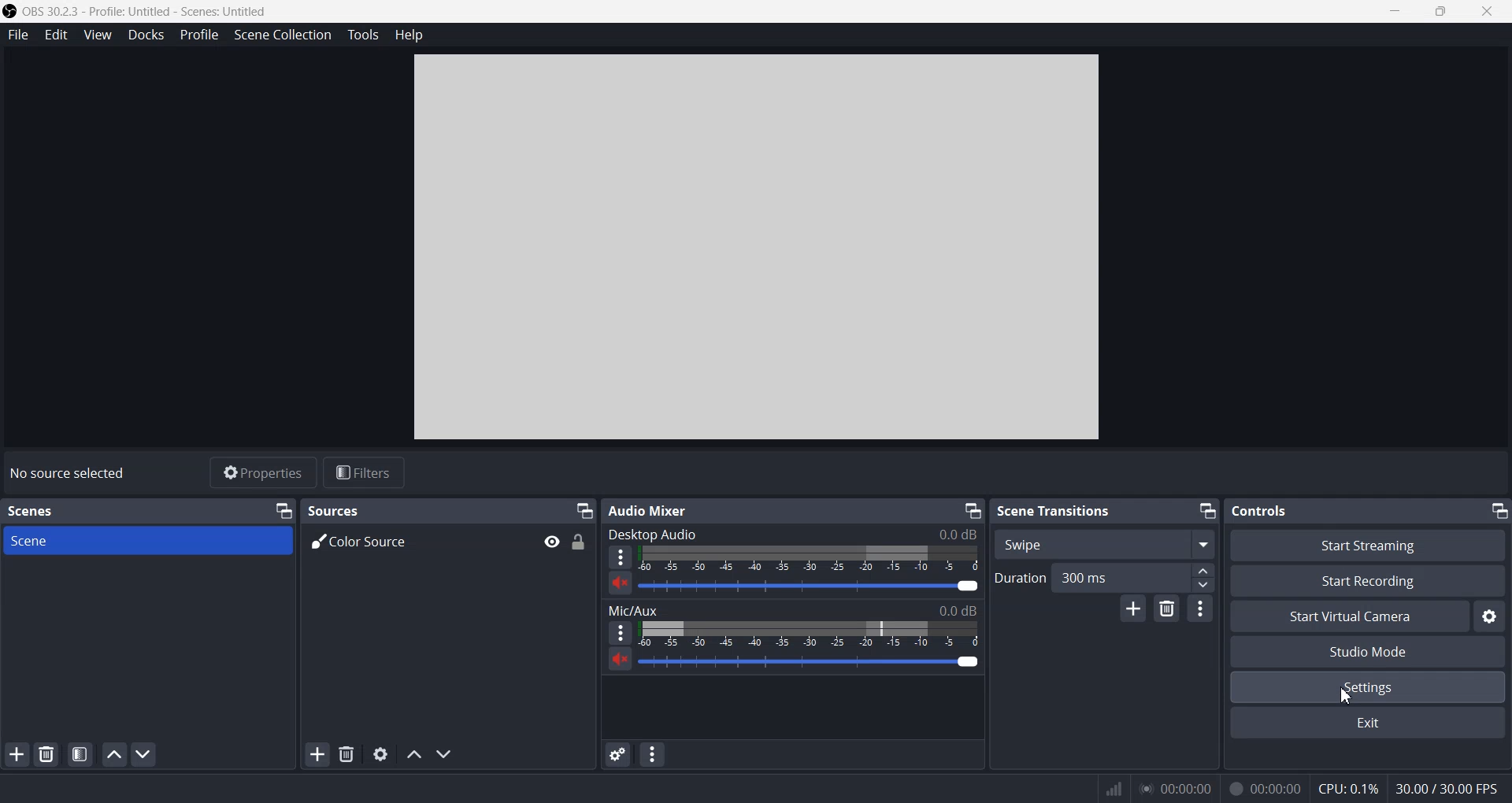 This screenshot has width=1512, height=803. I want to click on Text, so click(791, 534).